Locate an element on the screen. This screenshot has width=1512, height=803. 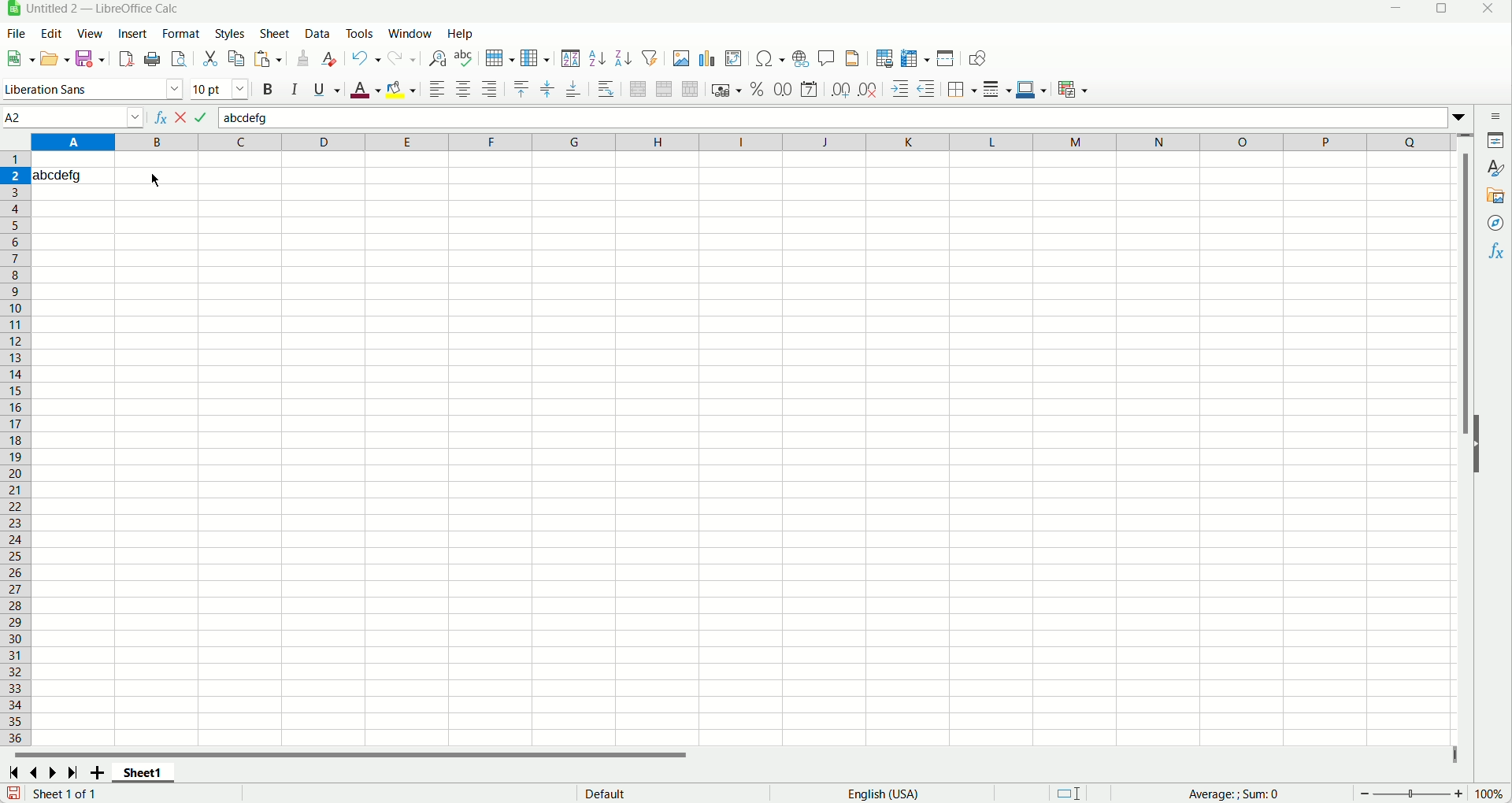
format as number is located at coordinates (783, 90).